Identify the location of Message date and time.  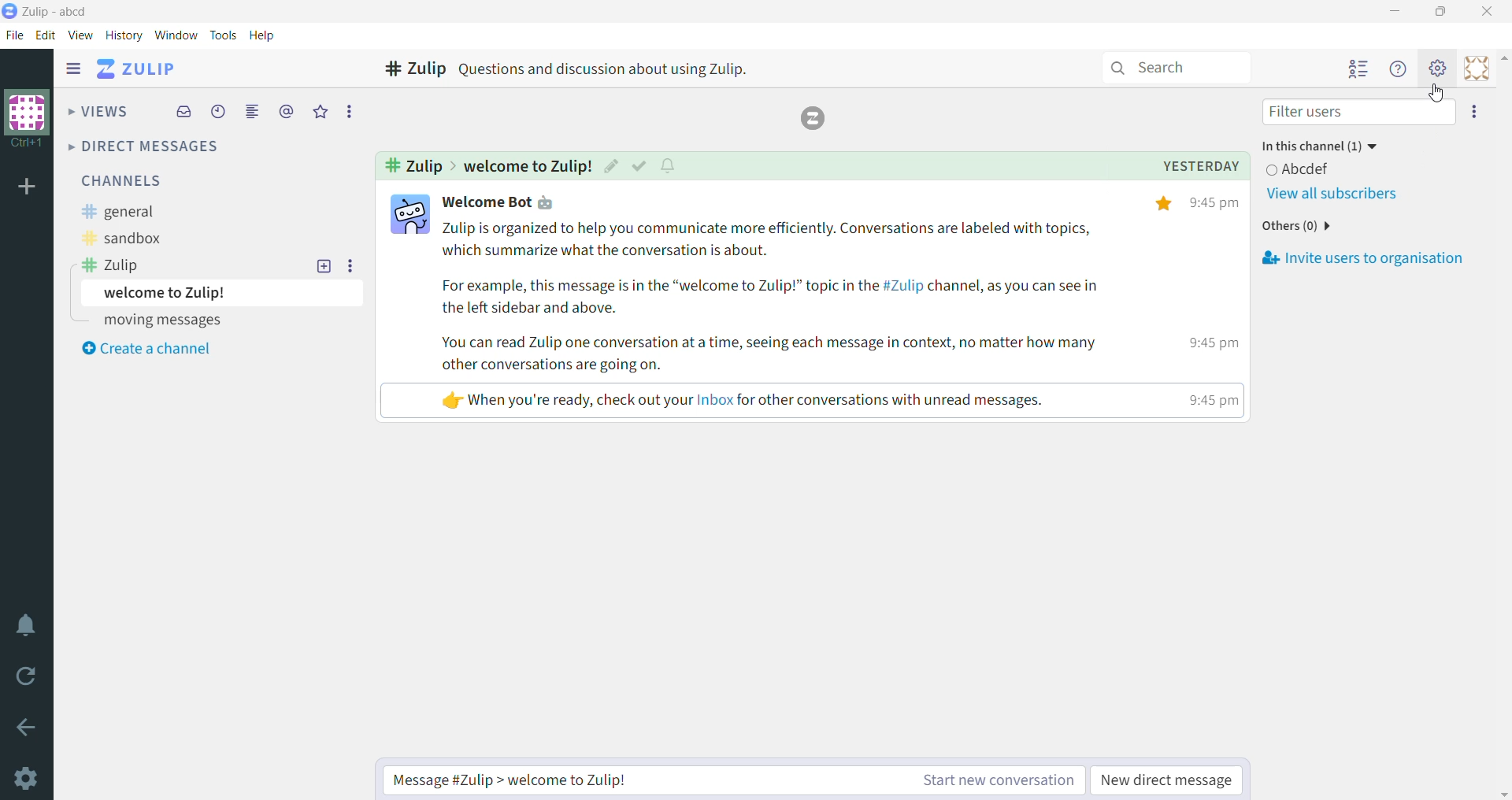
(1177, 166).